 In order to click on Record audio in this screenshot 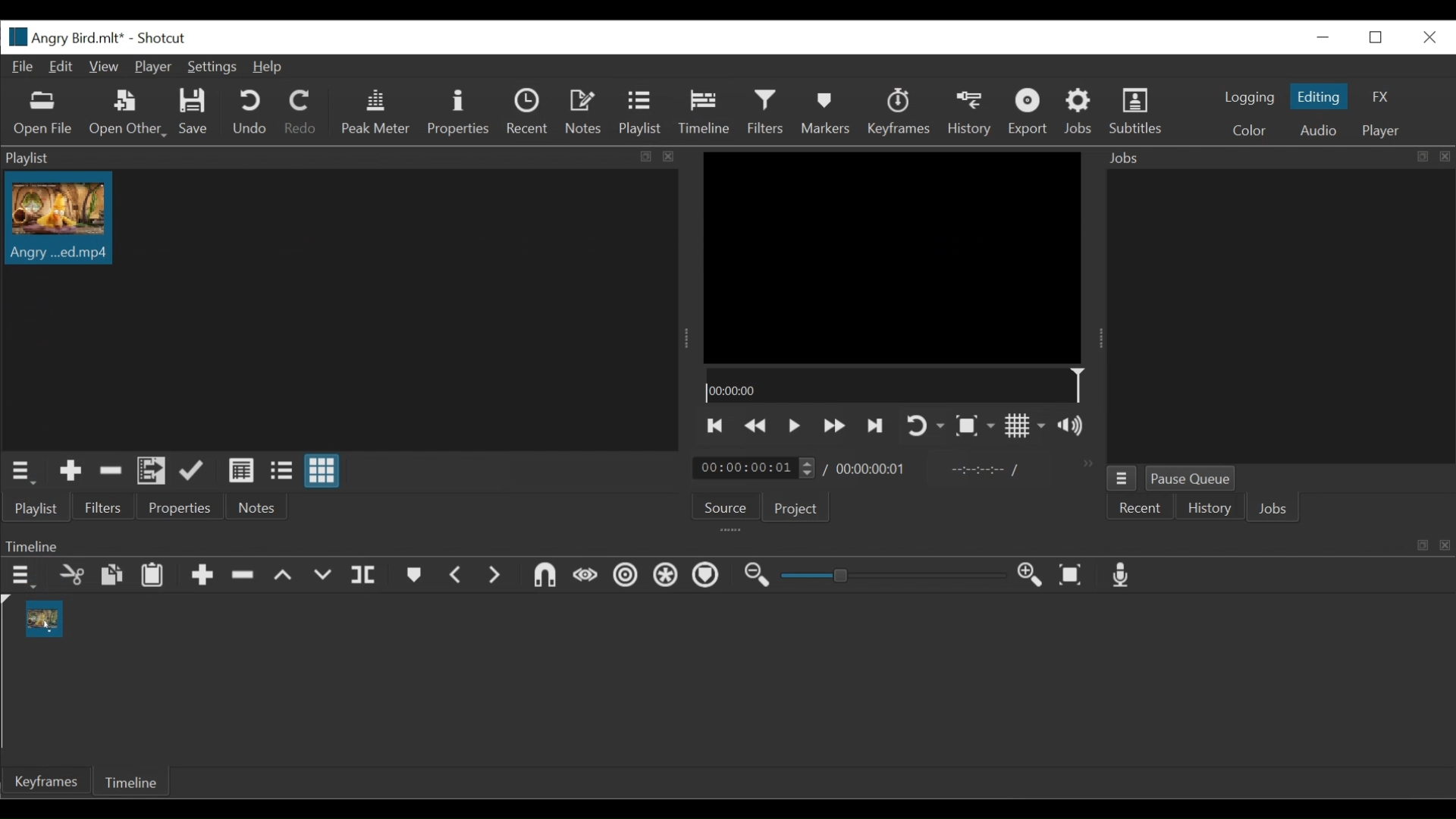, I will do `click(1120, 577)`.